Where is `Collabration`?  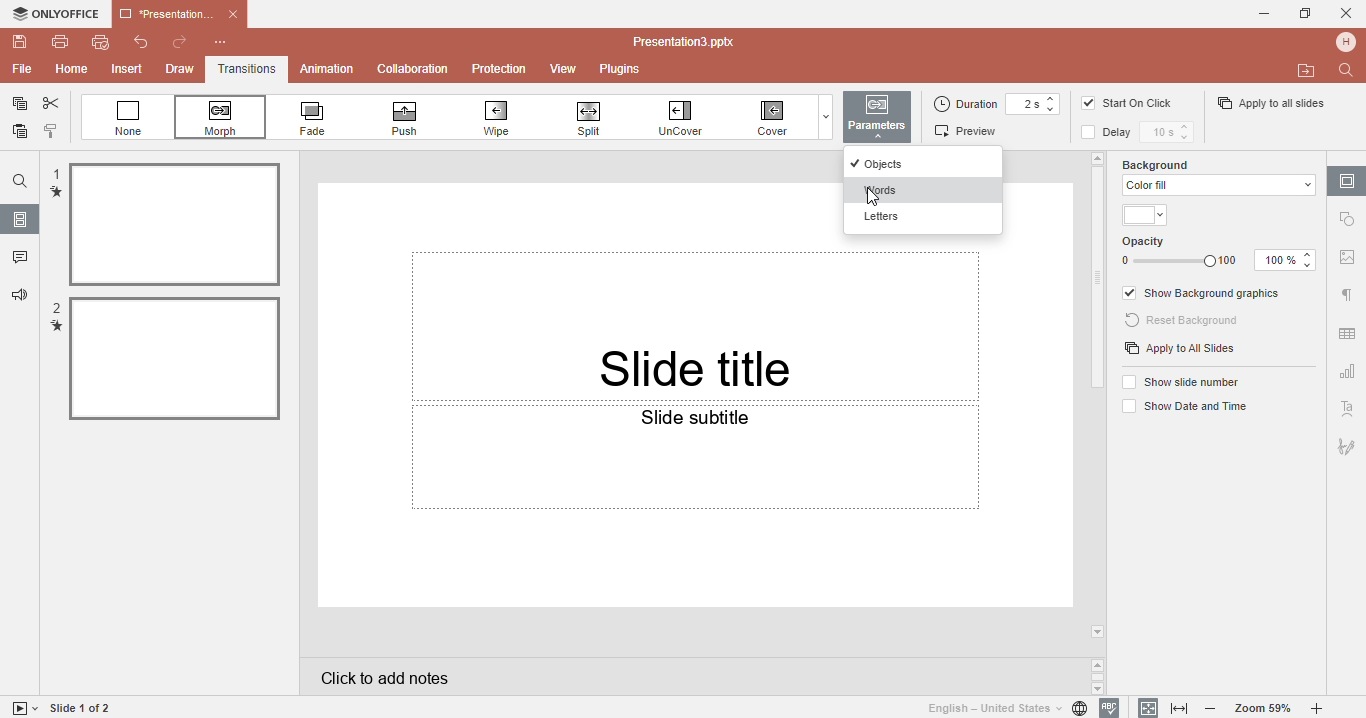
Collabration is located at coordinates (413, 70).